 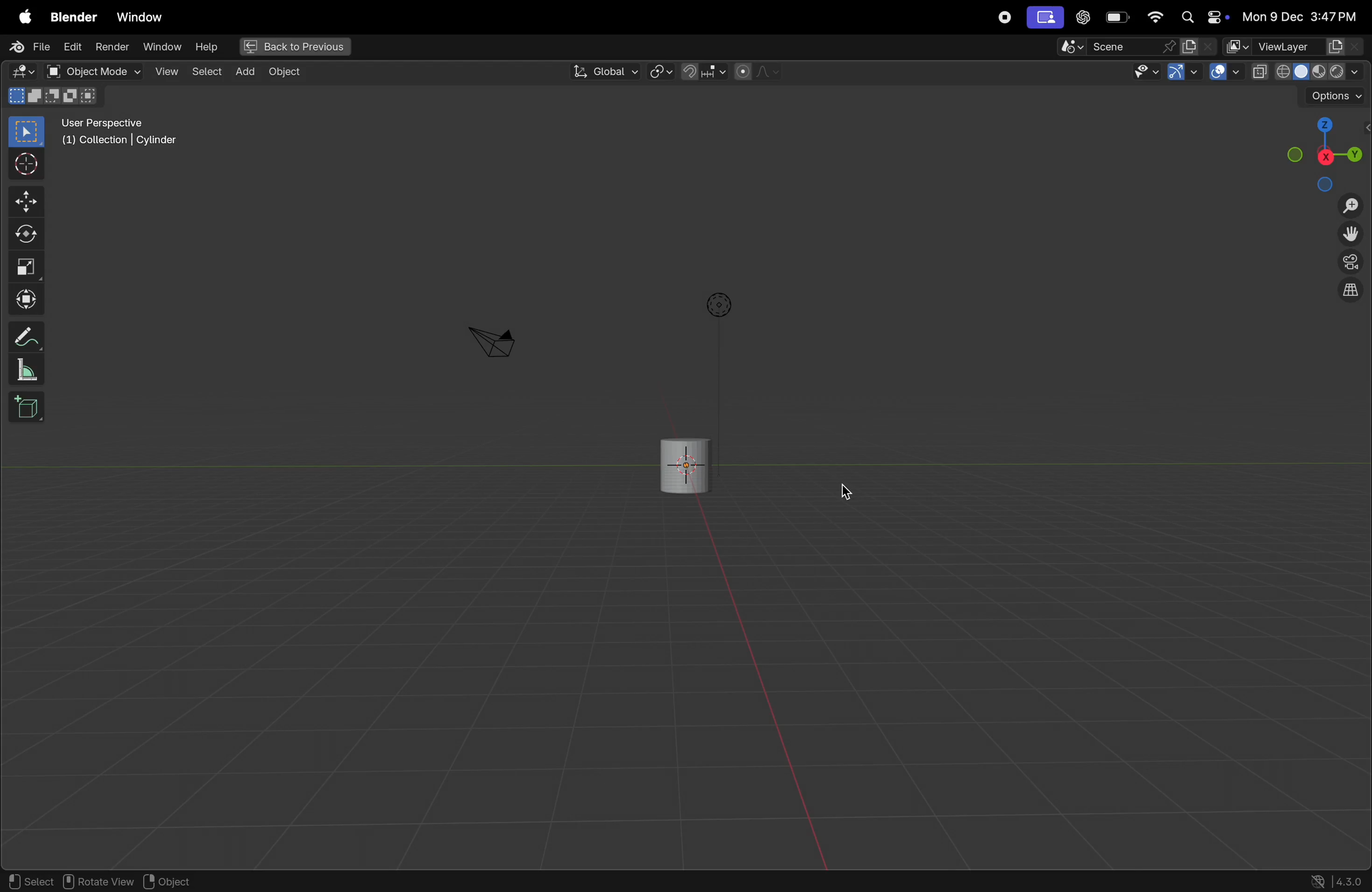 What do you see at coordinates (101, 882) in the screenshot?
I see `rotate view` at bounding box center [101, 882].